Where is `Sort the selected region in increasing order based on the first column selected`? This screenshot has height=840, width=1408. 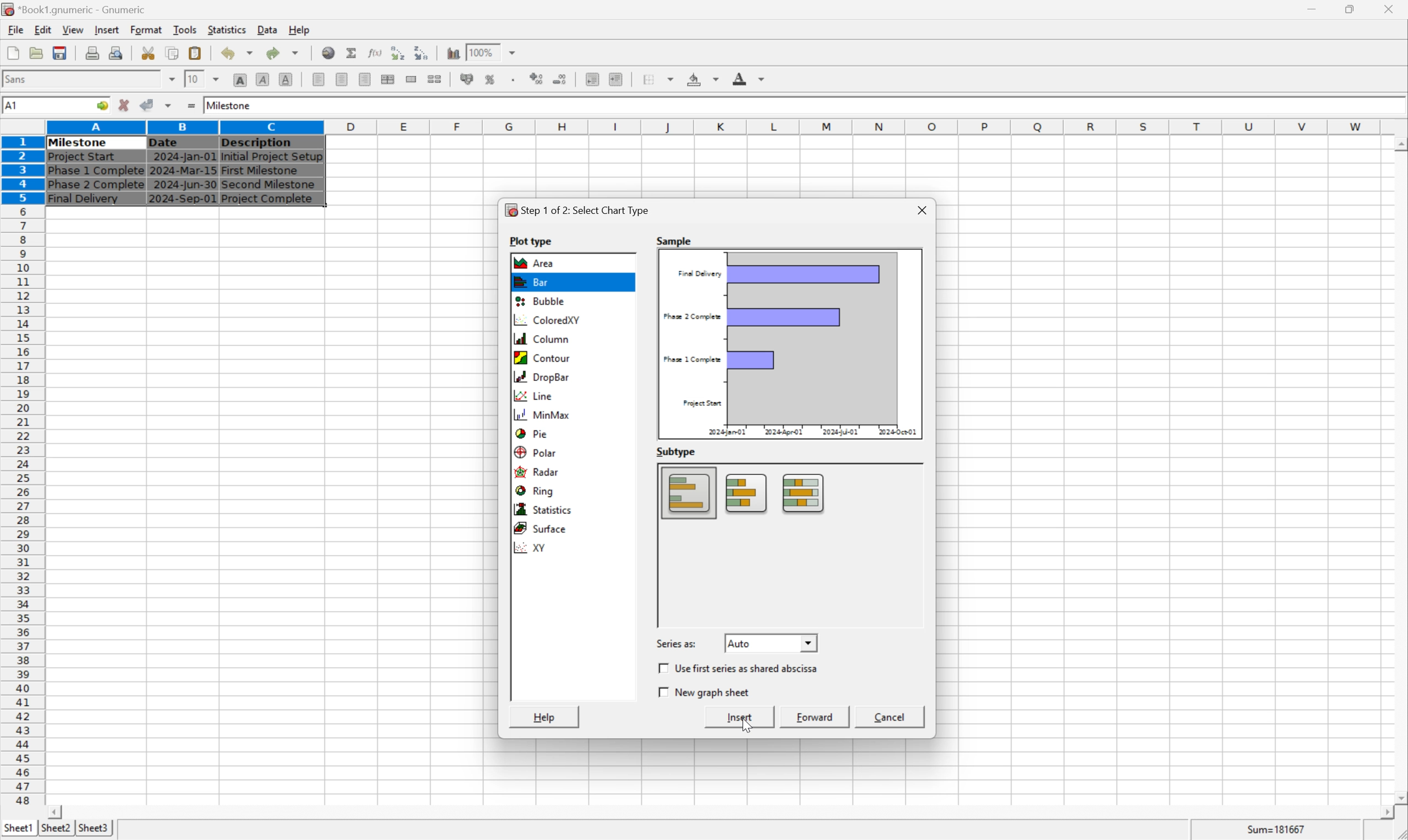
Sort the selected region in increasing order based on the first column selected is located at coordinates (395, 53).